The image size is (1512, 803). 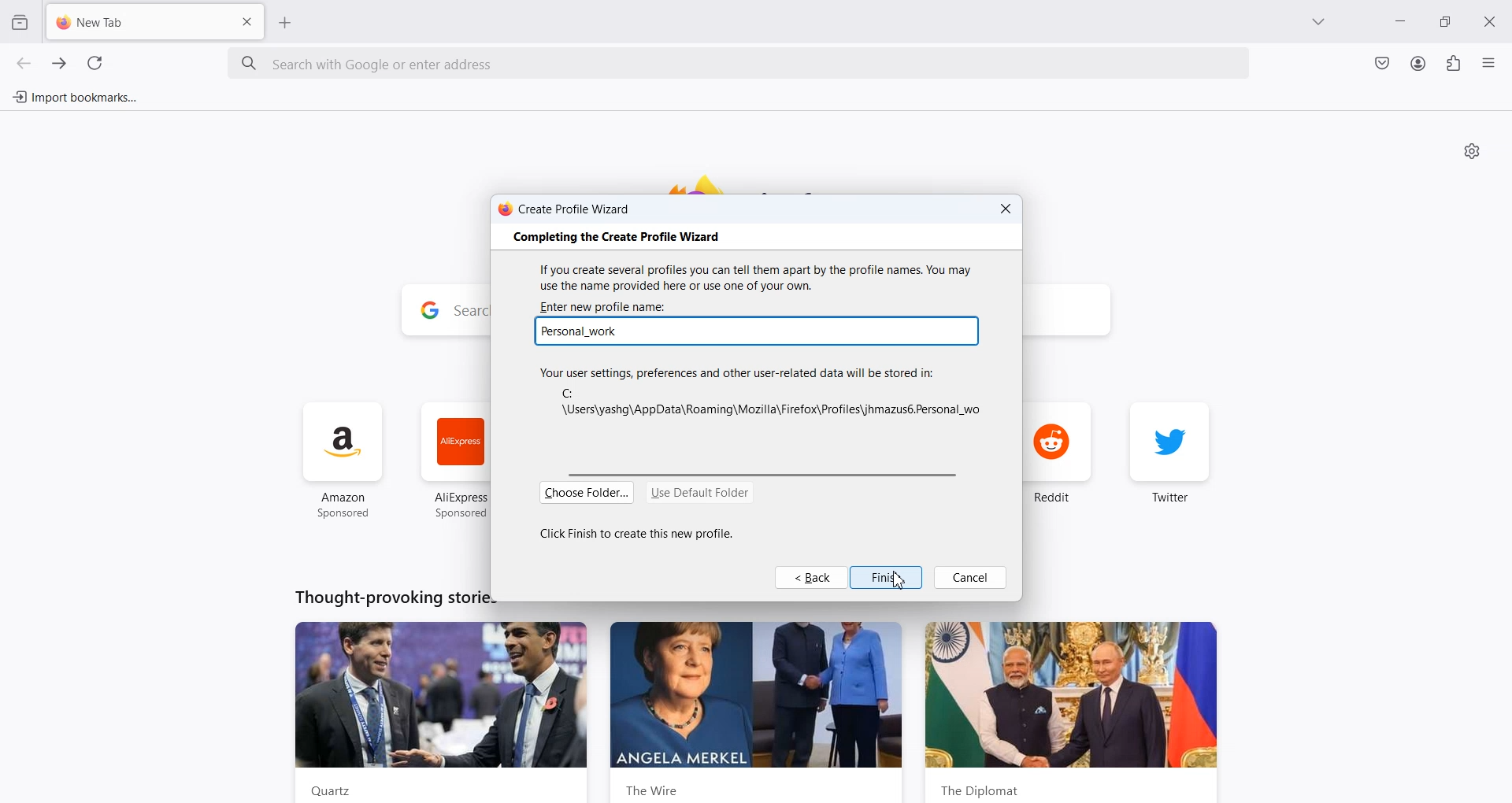 I want to click on the diplomat, so click(x=1071, y=712).